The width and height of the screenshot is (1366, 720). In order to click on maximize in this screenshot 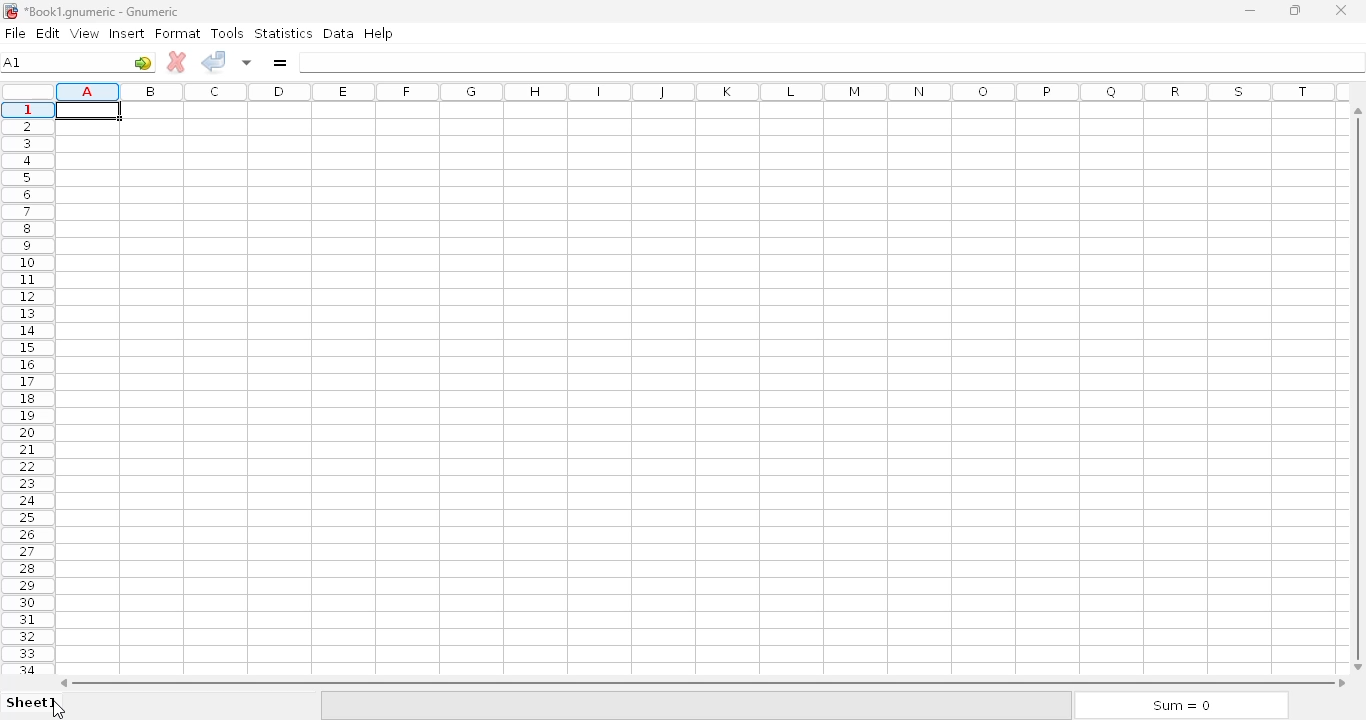, I will do `click(1296, 10)`.